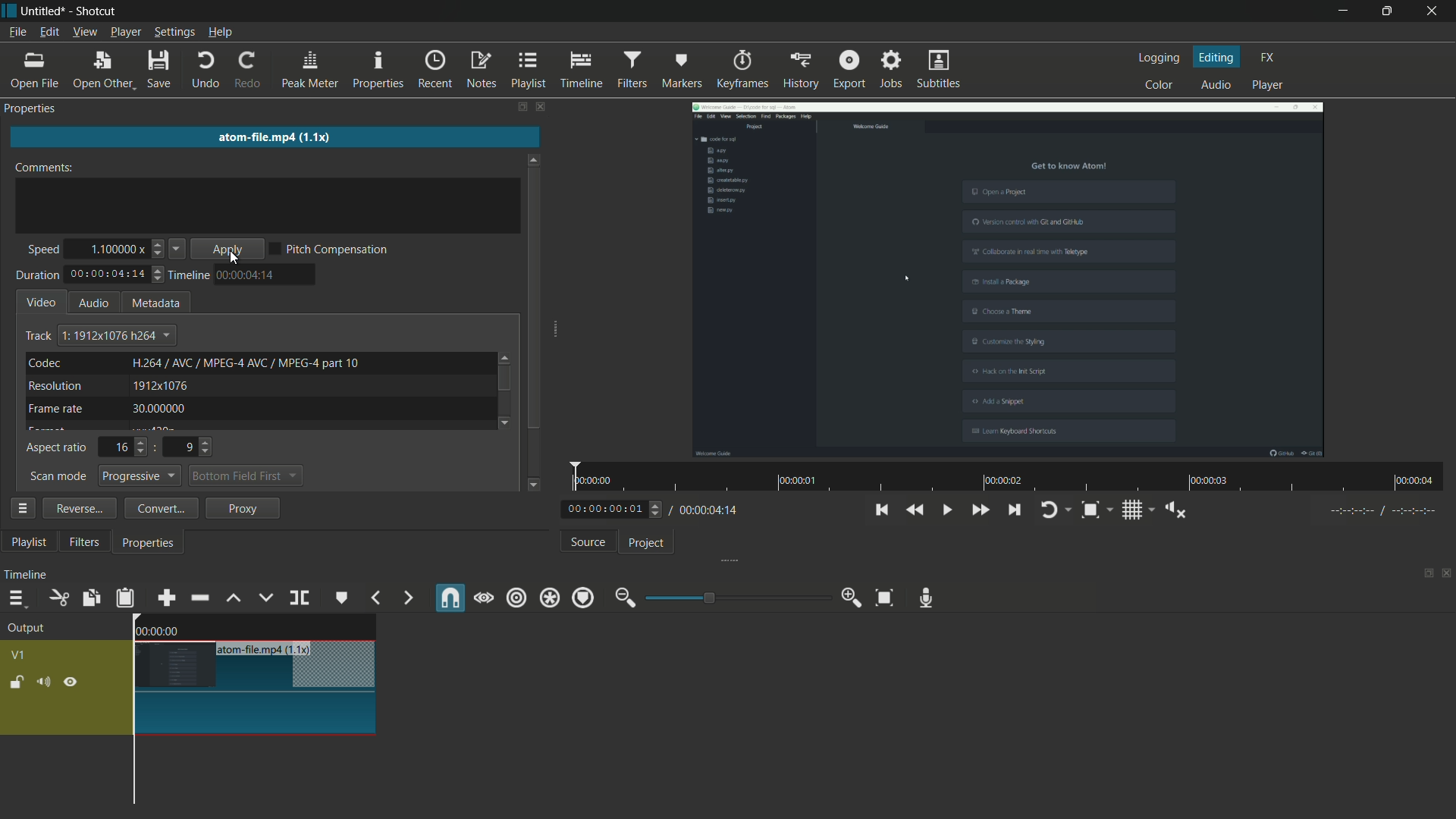 Image resolution: width=1456 pixels, height=819 pixels. What do you see at coordinates (157, 249) in the screenshot?
I see `adjust` at bounding box center [157, 249].